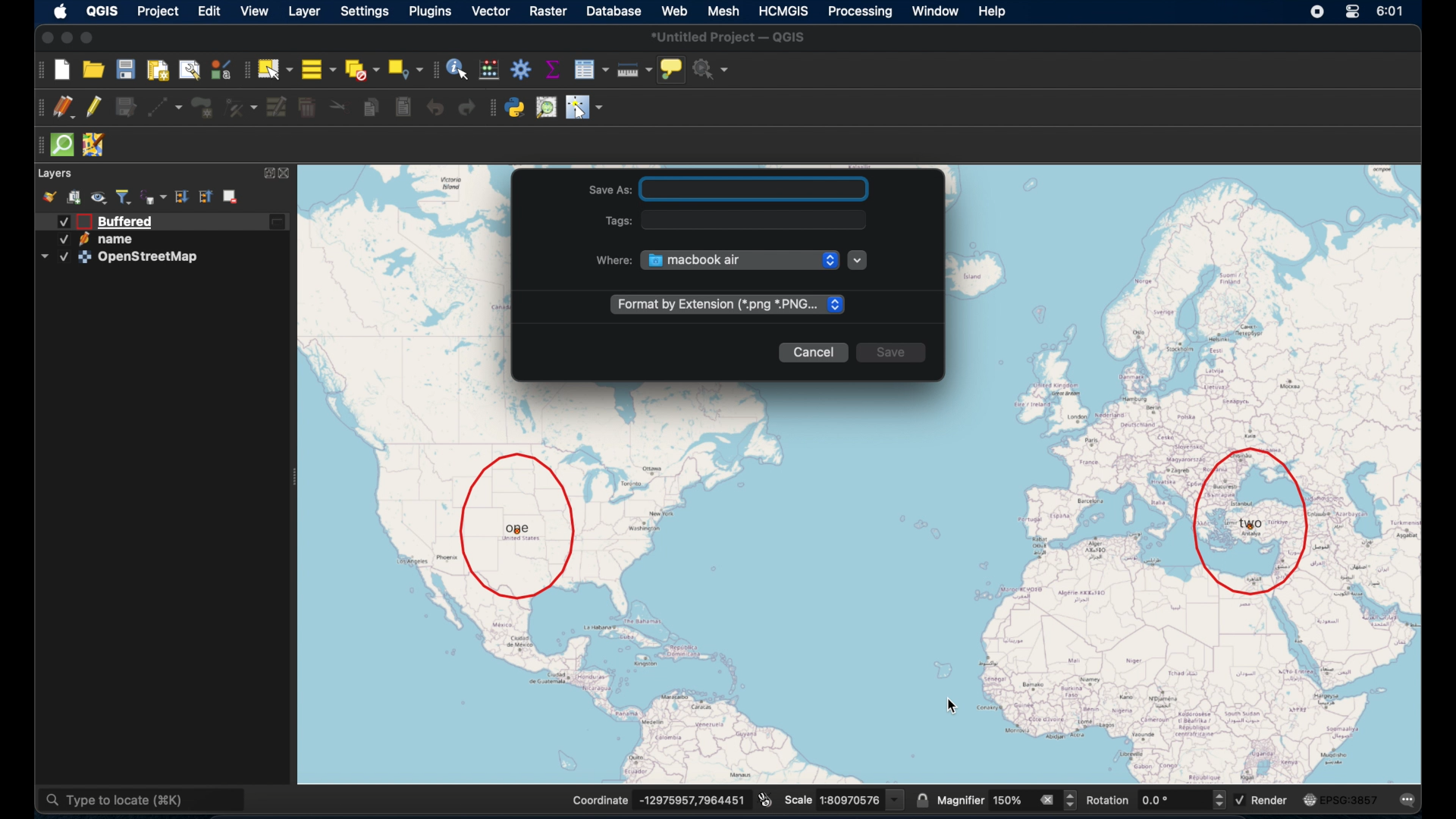  Describe the element at coordinates (61, 240) in the screenshot. I see `Checked checkbox` at that location.